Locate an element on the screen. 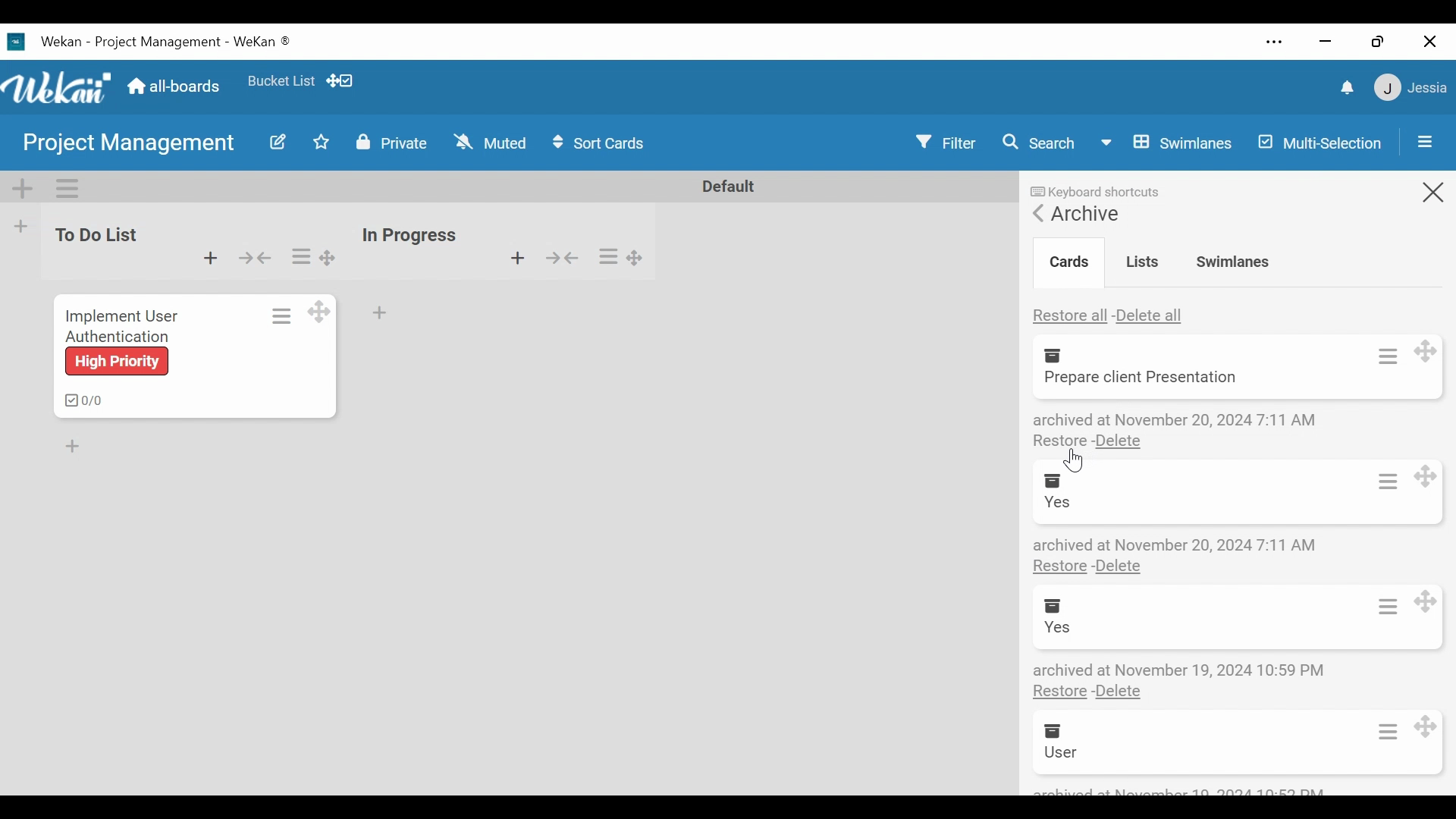 The width and height of the screenshot is (1456, 819). notifications is located at coordinates (1349, 88).